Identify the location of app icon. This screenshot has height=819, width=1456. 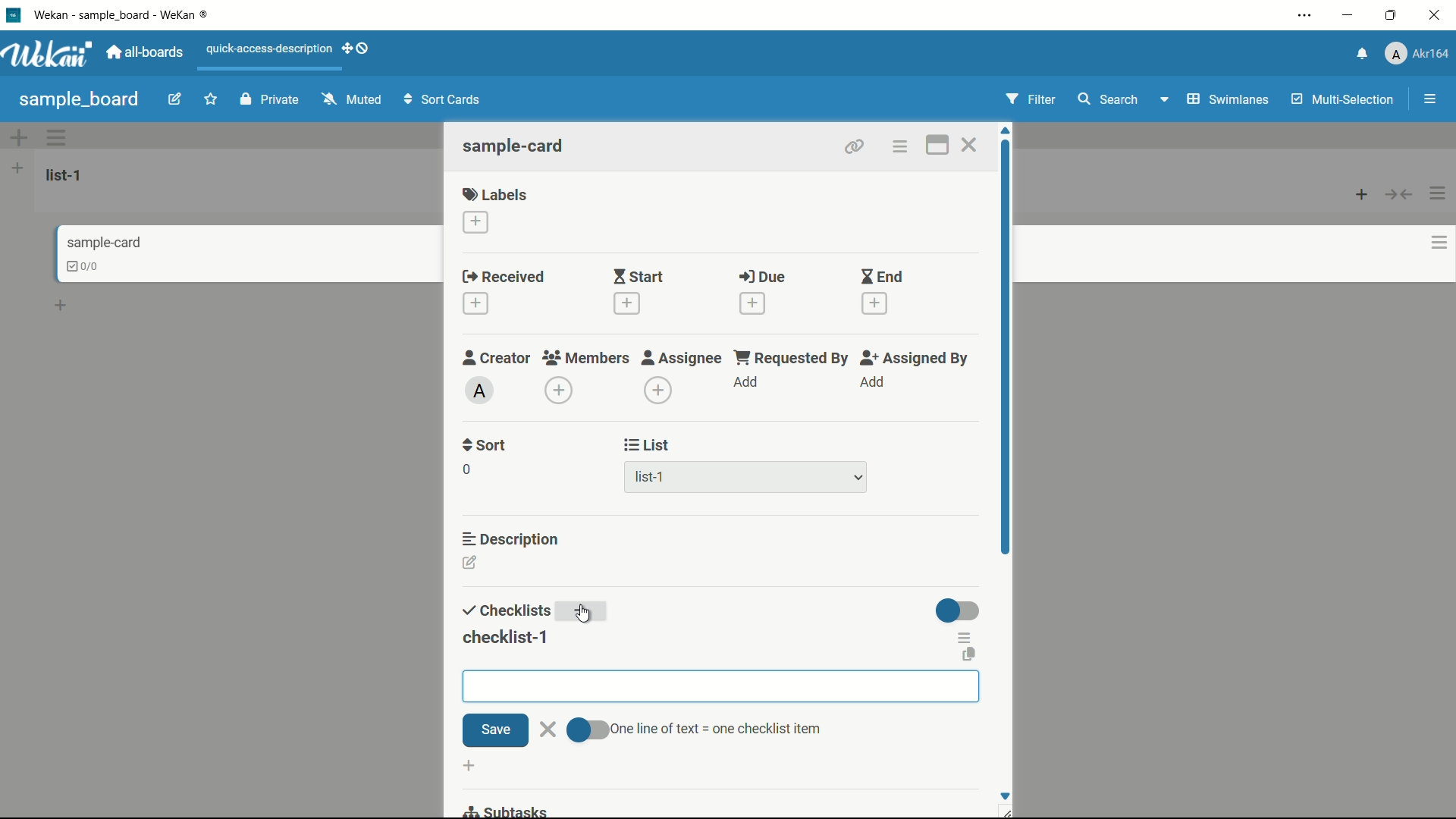
(13, 14).